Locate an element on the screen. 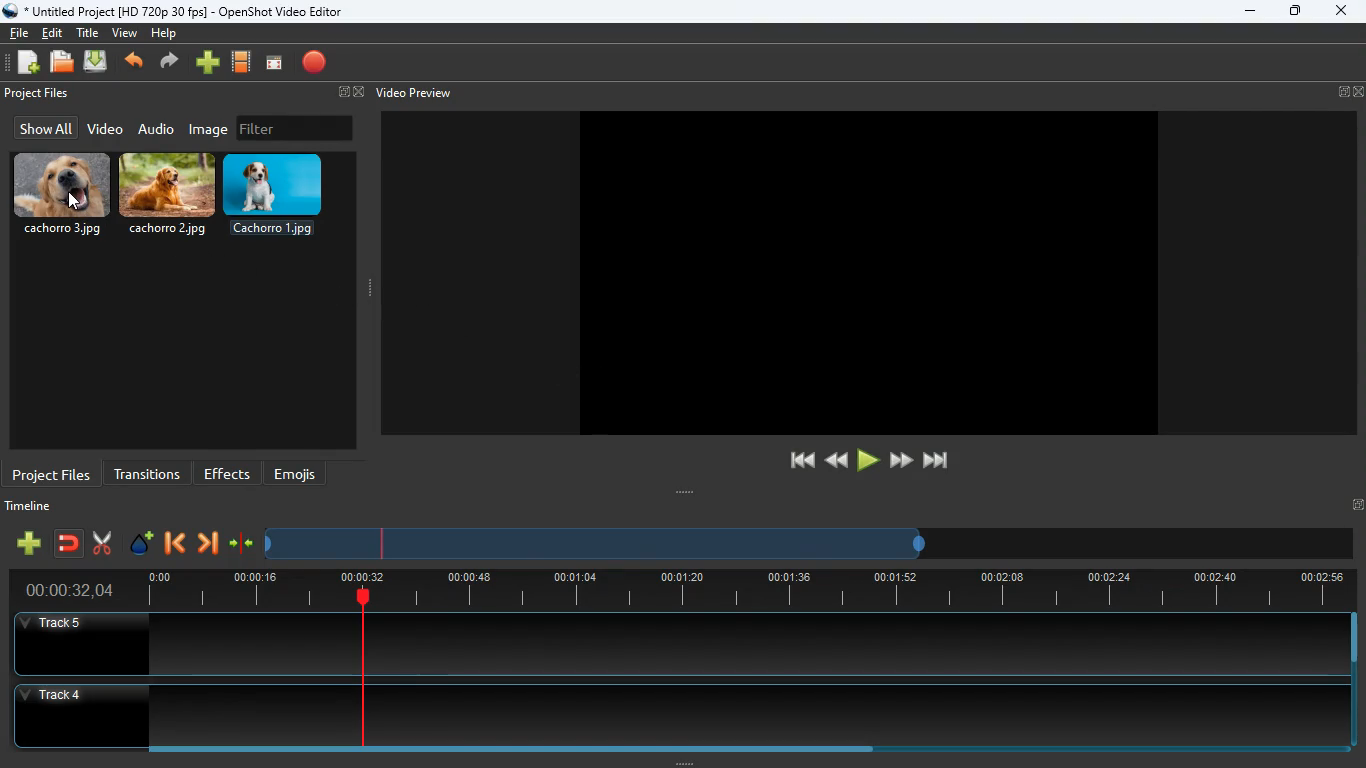 The height and width of the screenshot is (768, 1366). fullscreen is located at coordinates (1351, 92).